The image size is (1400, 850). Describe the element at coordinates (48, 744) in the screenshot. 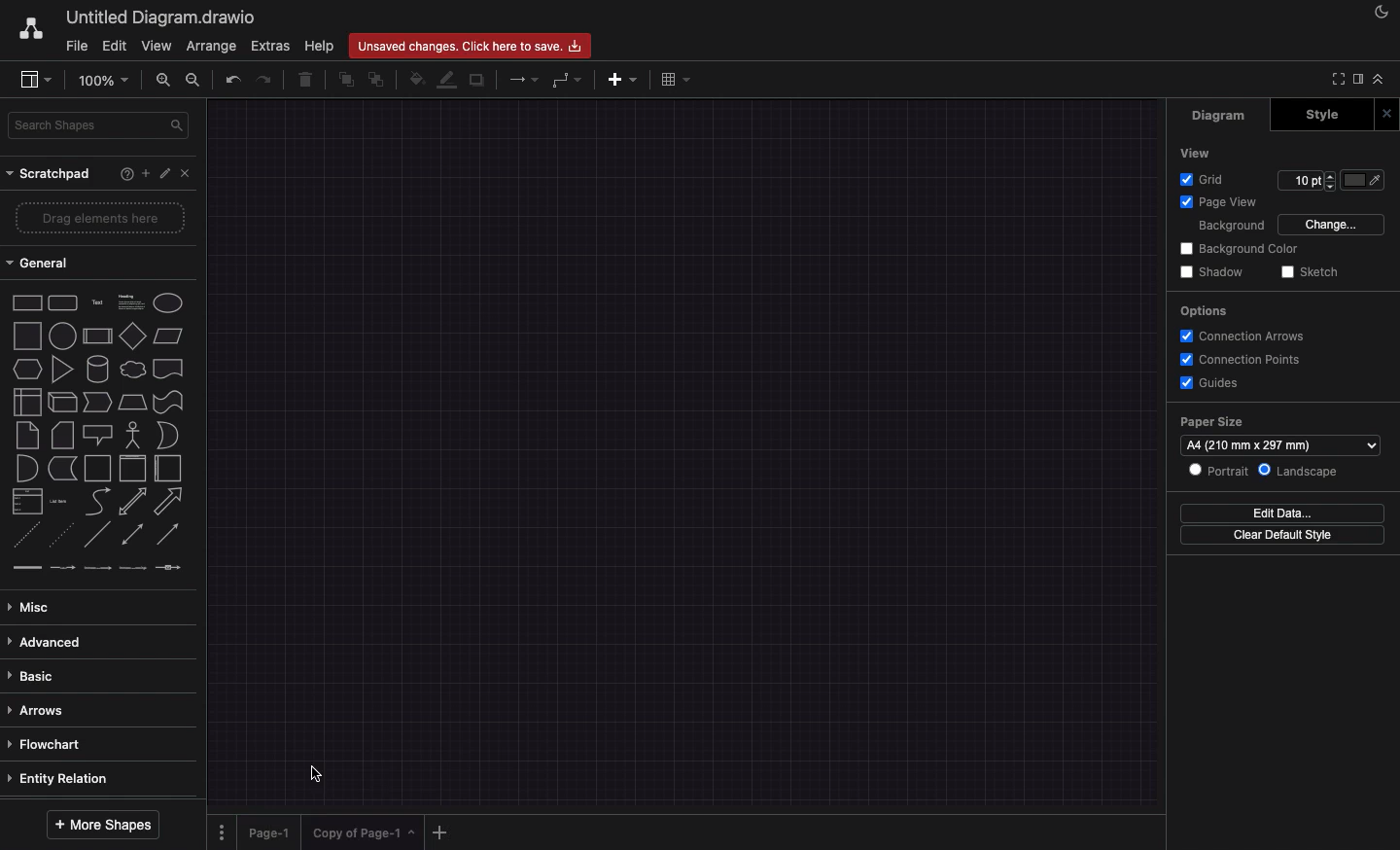

I see `flowchart` at that location.